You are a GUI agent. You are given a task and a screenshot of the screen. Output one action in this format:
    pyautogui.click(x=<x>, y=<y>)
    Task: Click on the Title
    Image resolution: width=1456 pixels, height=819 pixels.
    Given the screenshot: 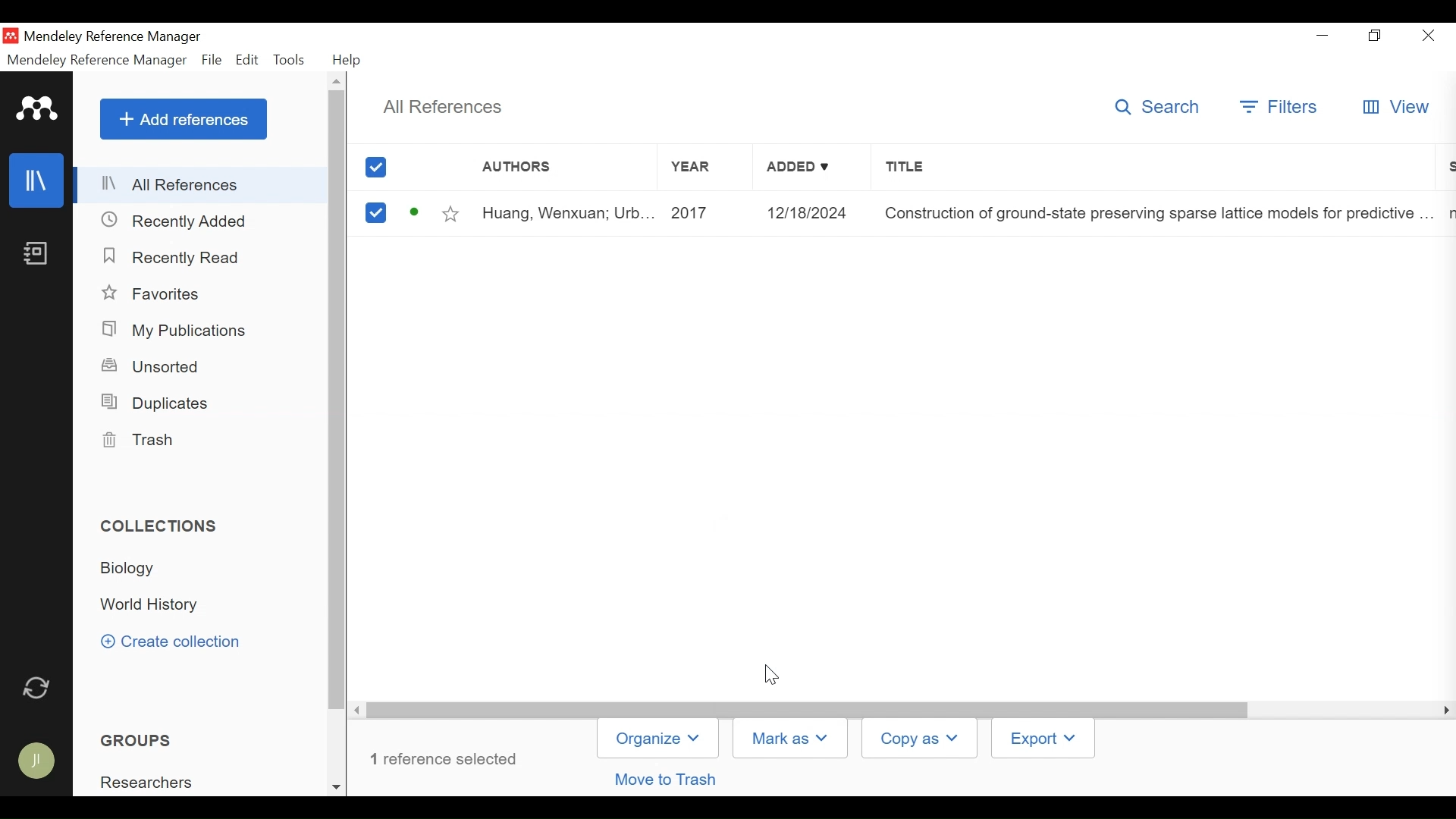 What is the action you would take?
    pyautogui.click(x=1158, y=214)
    